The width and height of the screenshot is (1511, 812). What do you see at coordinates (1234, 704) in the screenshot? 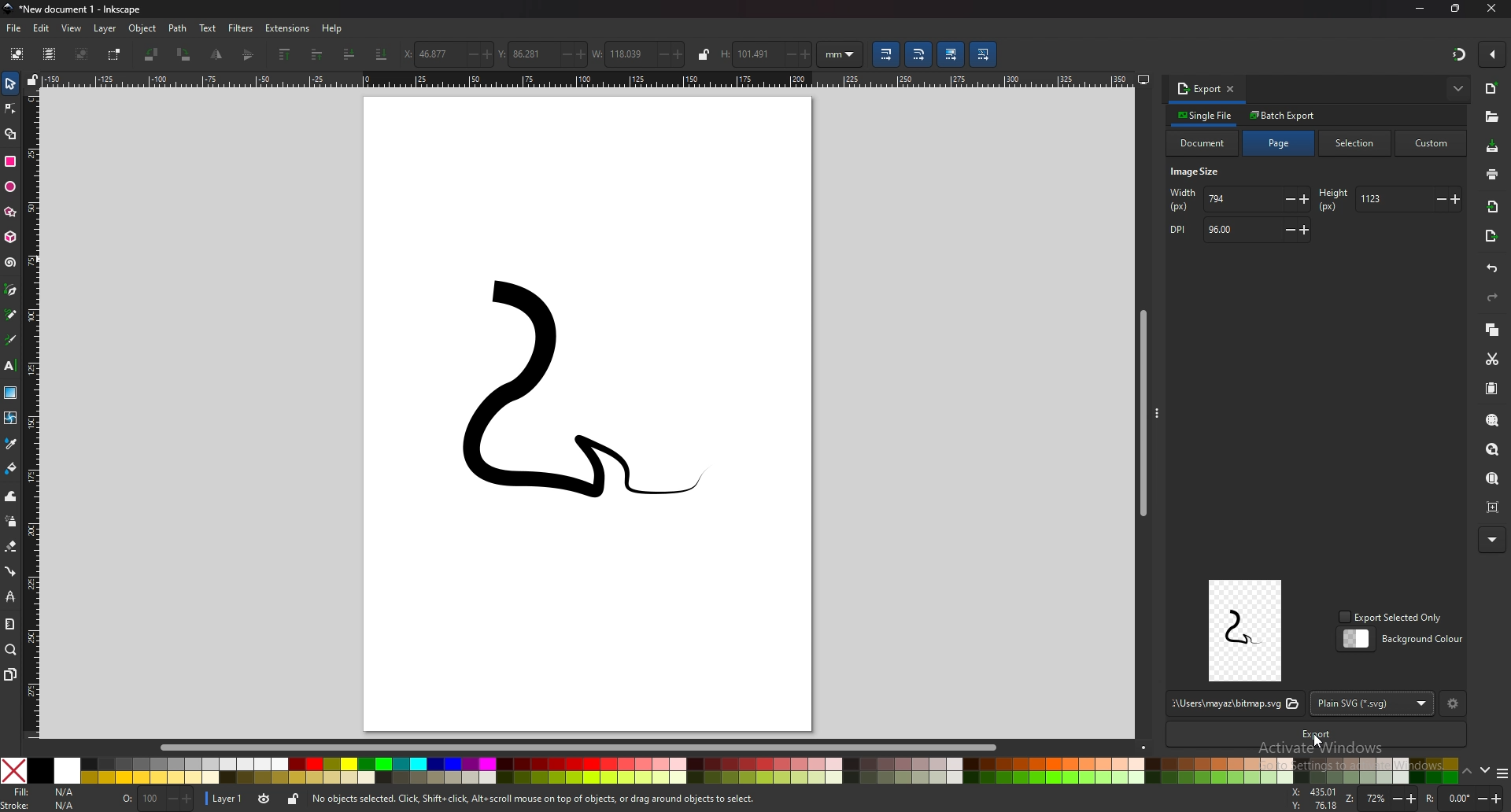
I see `file location` at bounding box center [1234, 704].